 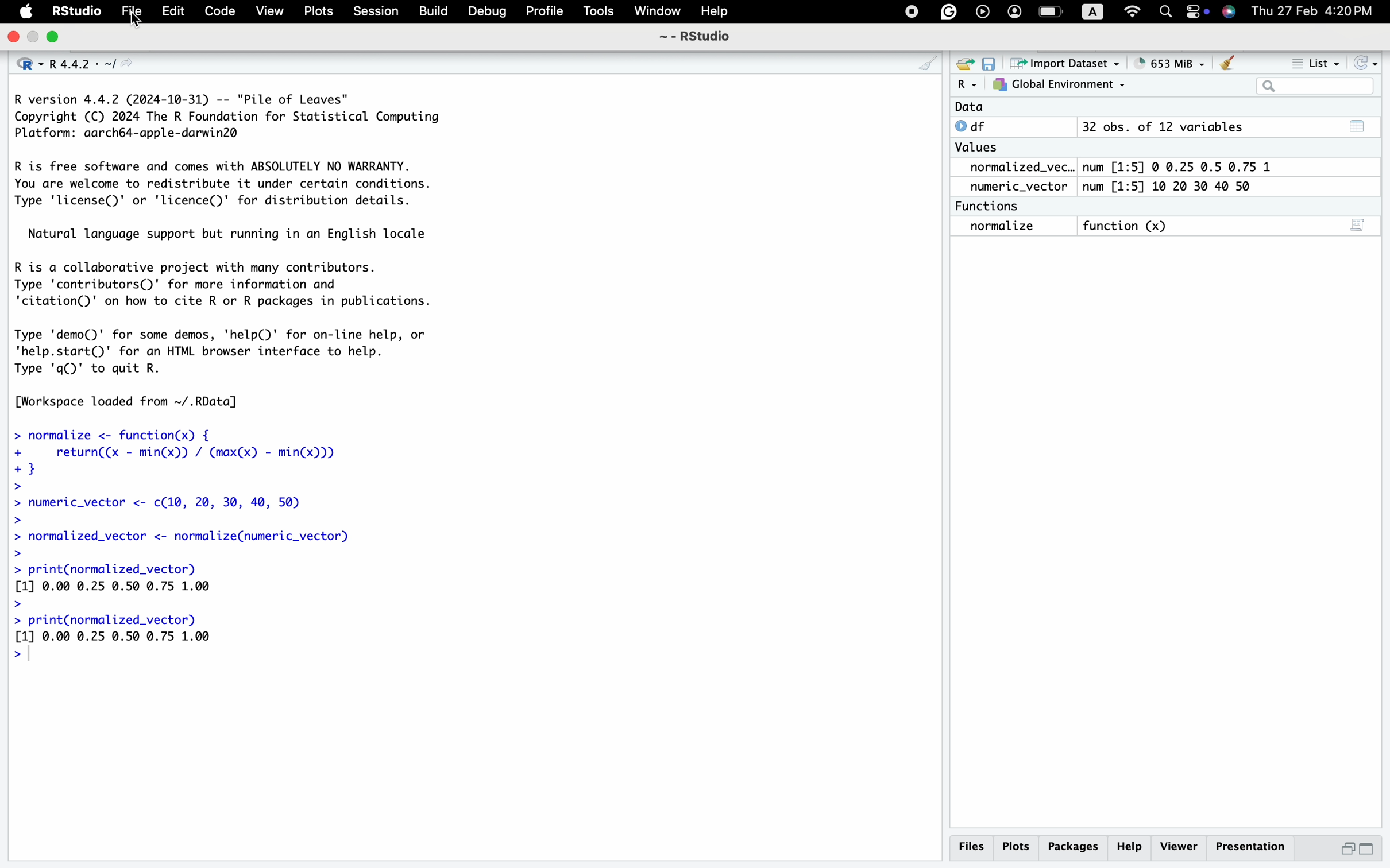 What do you see at coordinates (218, 11) in the screenshot?
I see `Code` at bounding box center [218, 11].